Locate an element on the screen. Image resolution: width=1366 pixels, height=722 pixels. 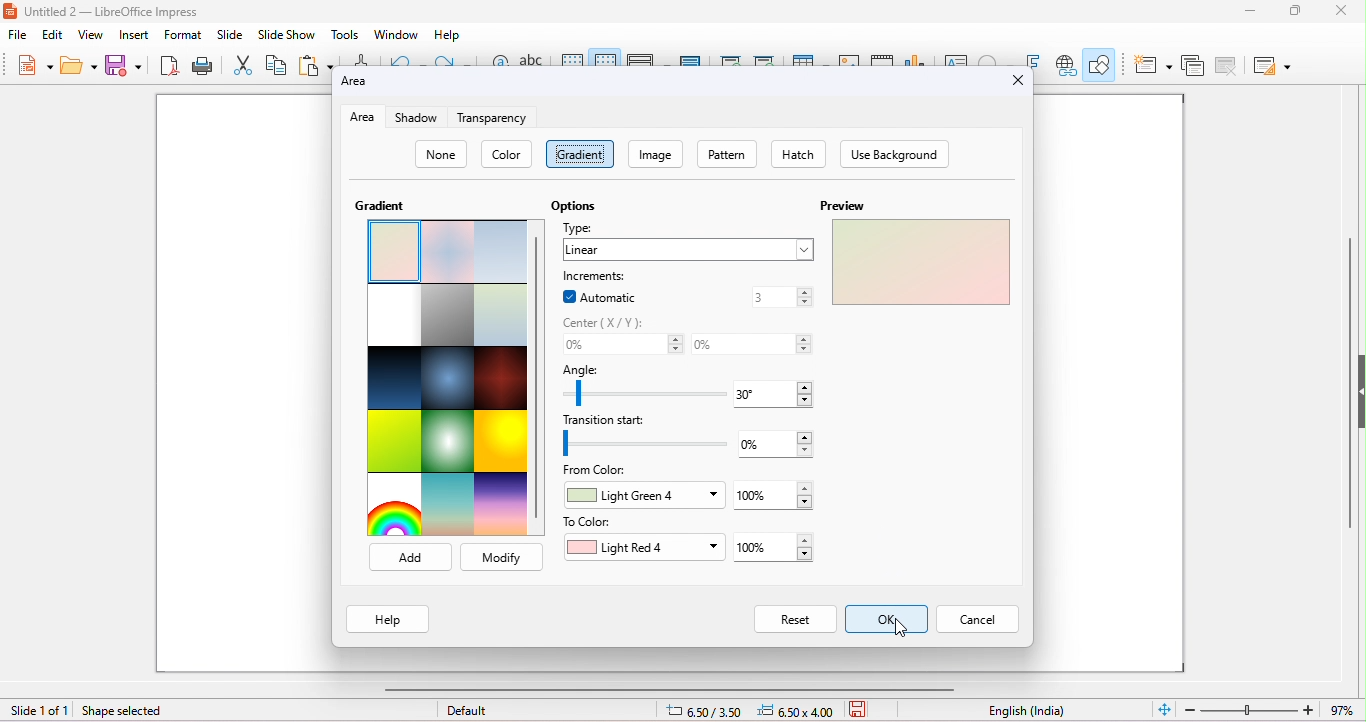
transition start is located at coordinates (647, 444).